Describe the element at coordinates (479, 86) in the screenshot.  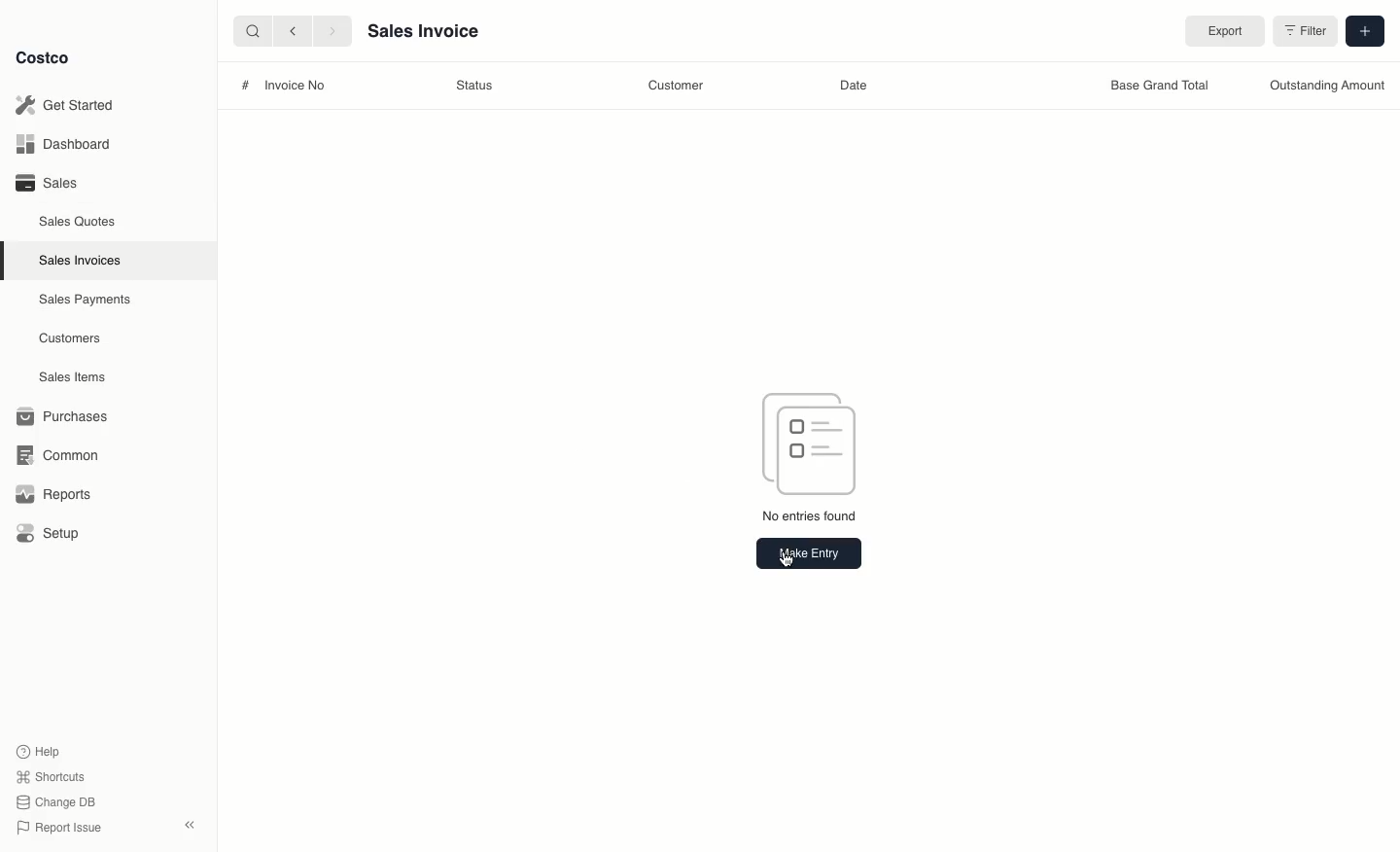
I see `Status` at that location.